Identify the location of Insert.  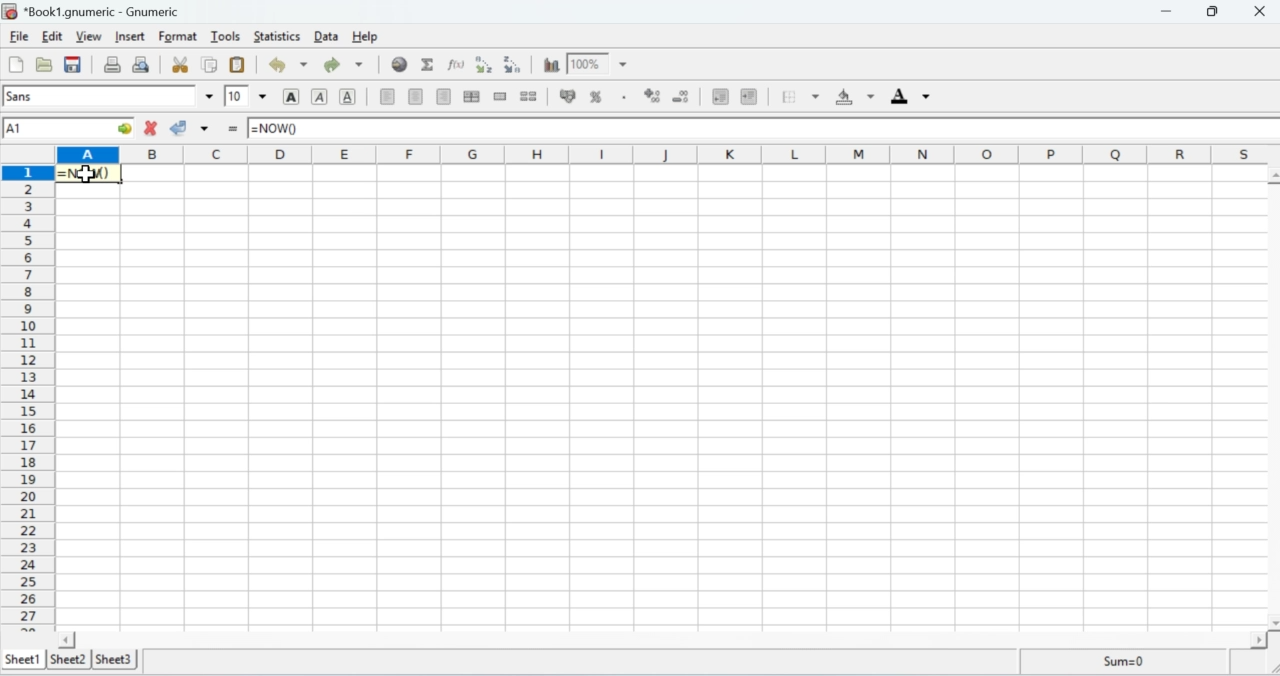
(131, 38).